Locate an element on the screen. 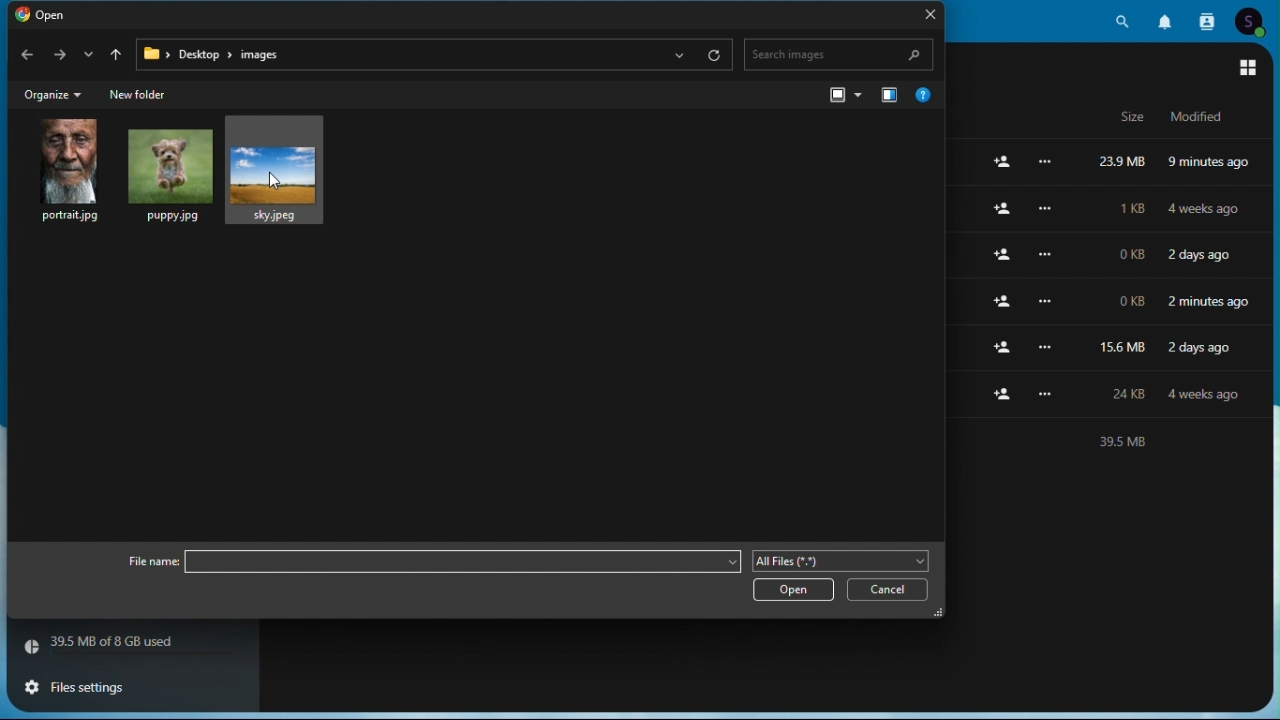 The height and width of the screenshot is (720, 1280). down is located at coordinates (86, 59).